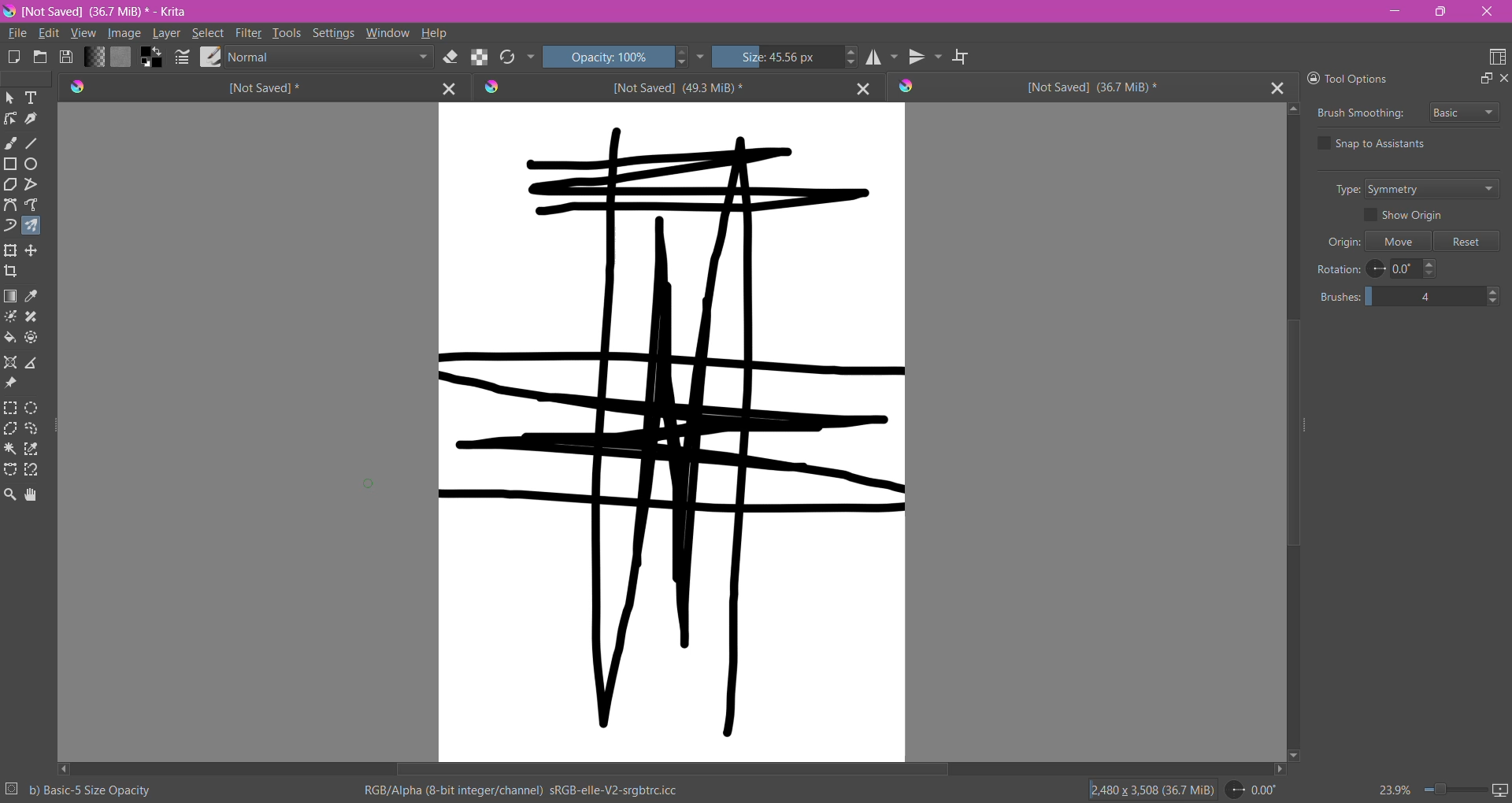 This screenshot has height=803, width=1512. What do you see at coordinates (31, 449) in the screenshot?
I see `Similar Color Selection Tool` at bounding box center [31, 449].